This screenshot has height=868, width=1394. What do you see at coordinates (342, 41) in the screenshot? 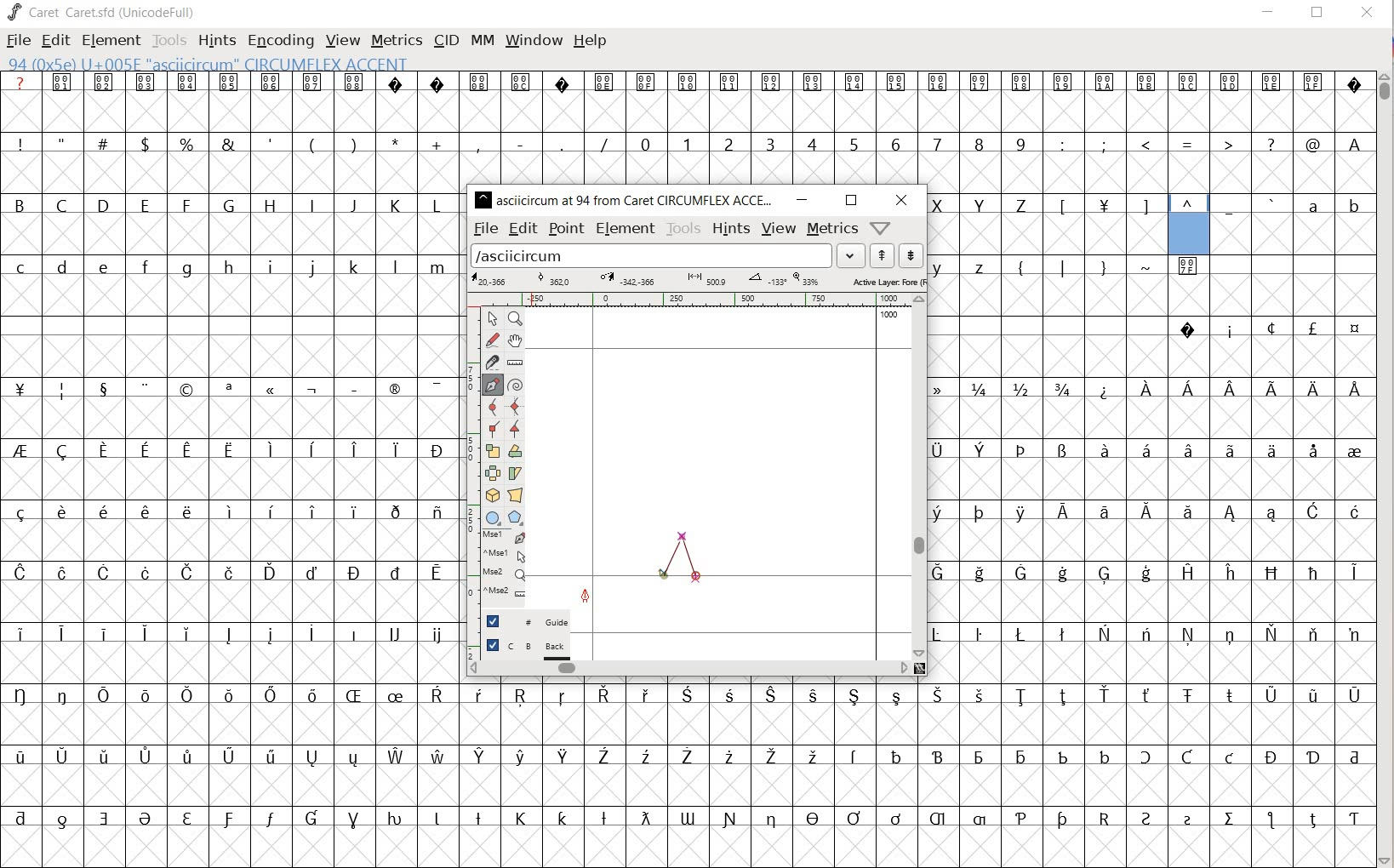
I see `VIEW` at bounding box center [342, 41].